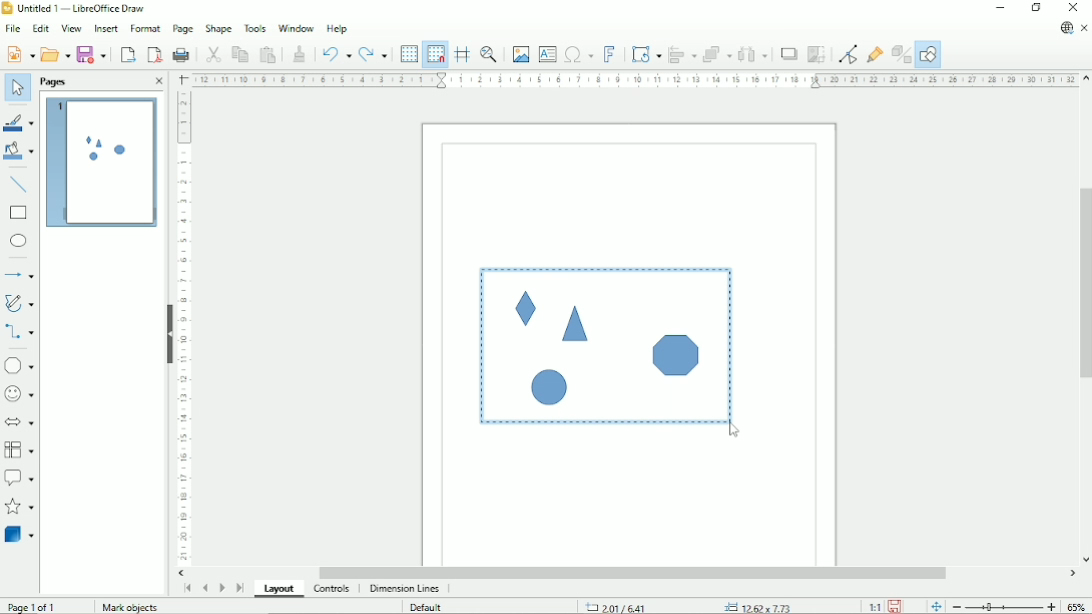  Describe the element at coordinates (489, 54) in the screenshot. I see `Zoom & pan` at that location.